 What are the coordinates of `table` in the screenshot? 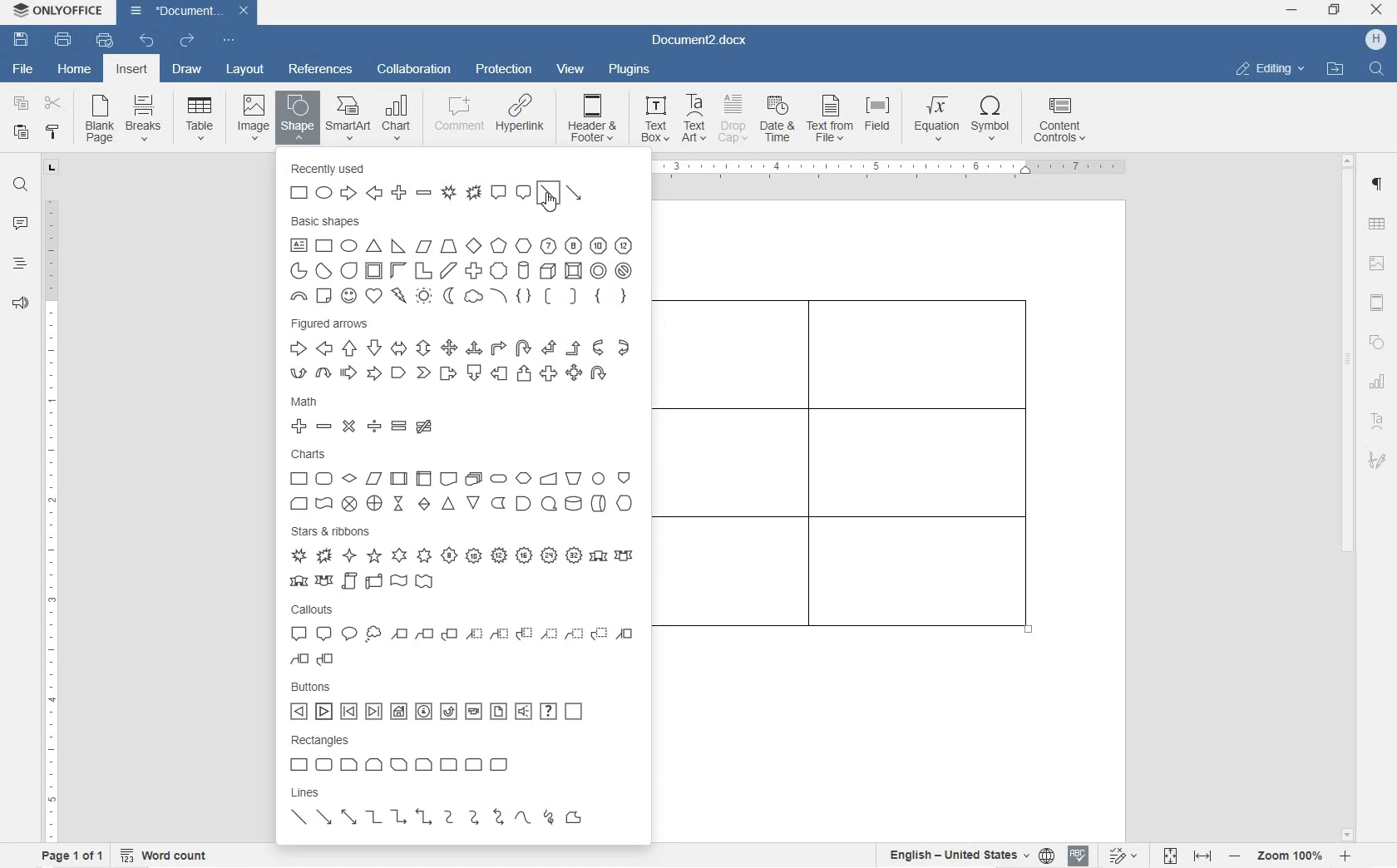 It's located at (1377, 225).